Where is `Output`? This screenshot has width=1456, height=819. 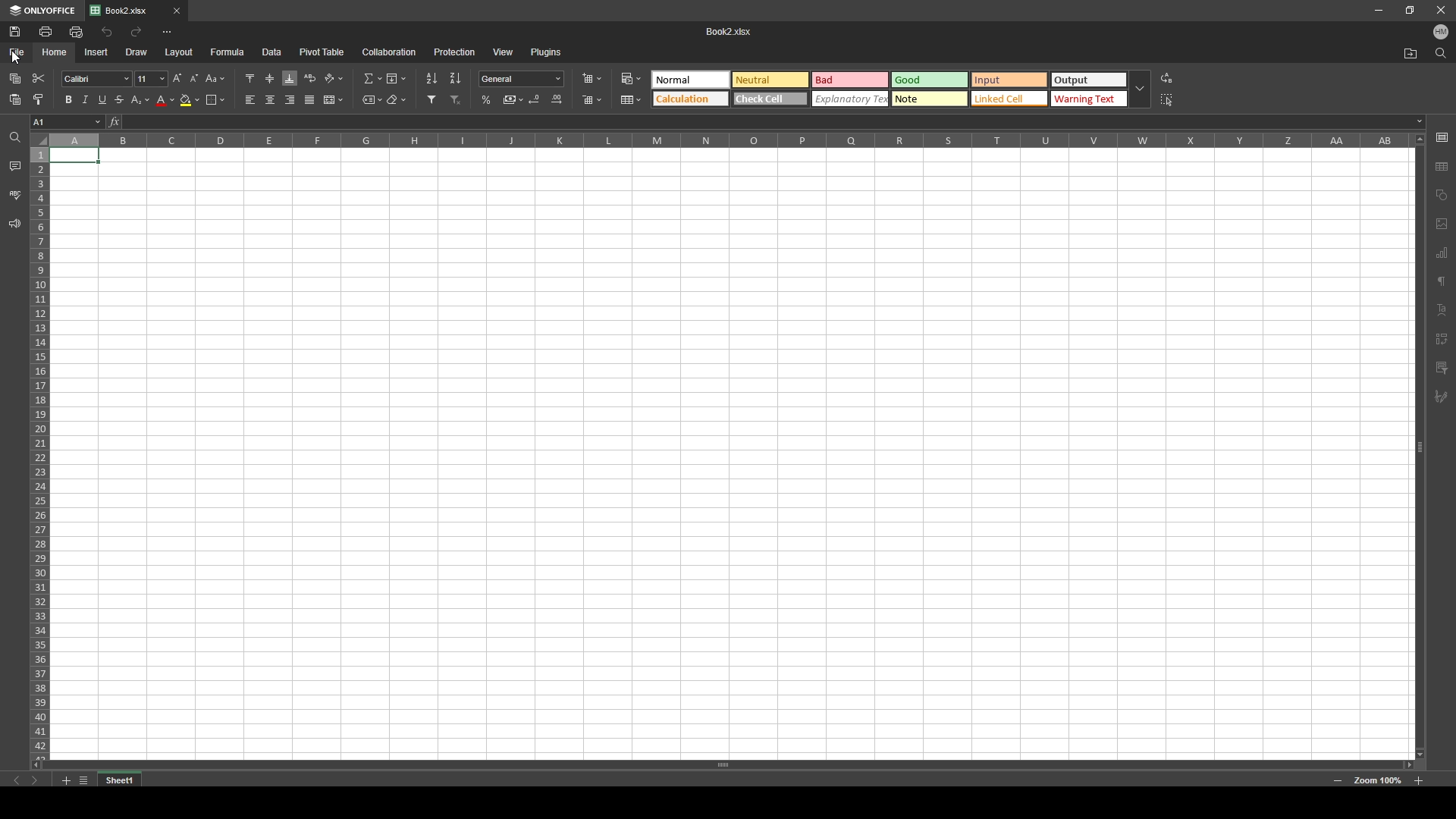
Output is located at coordinates (1088, 79).